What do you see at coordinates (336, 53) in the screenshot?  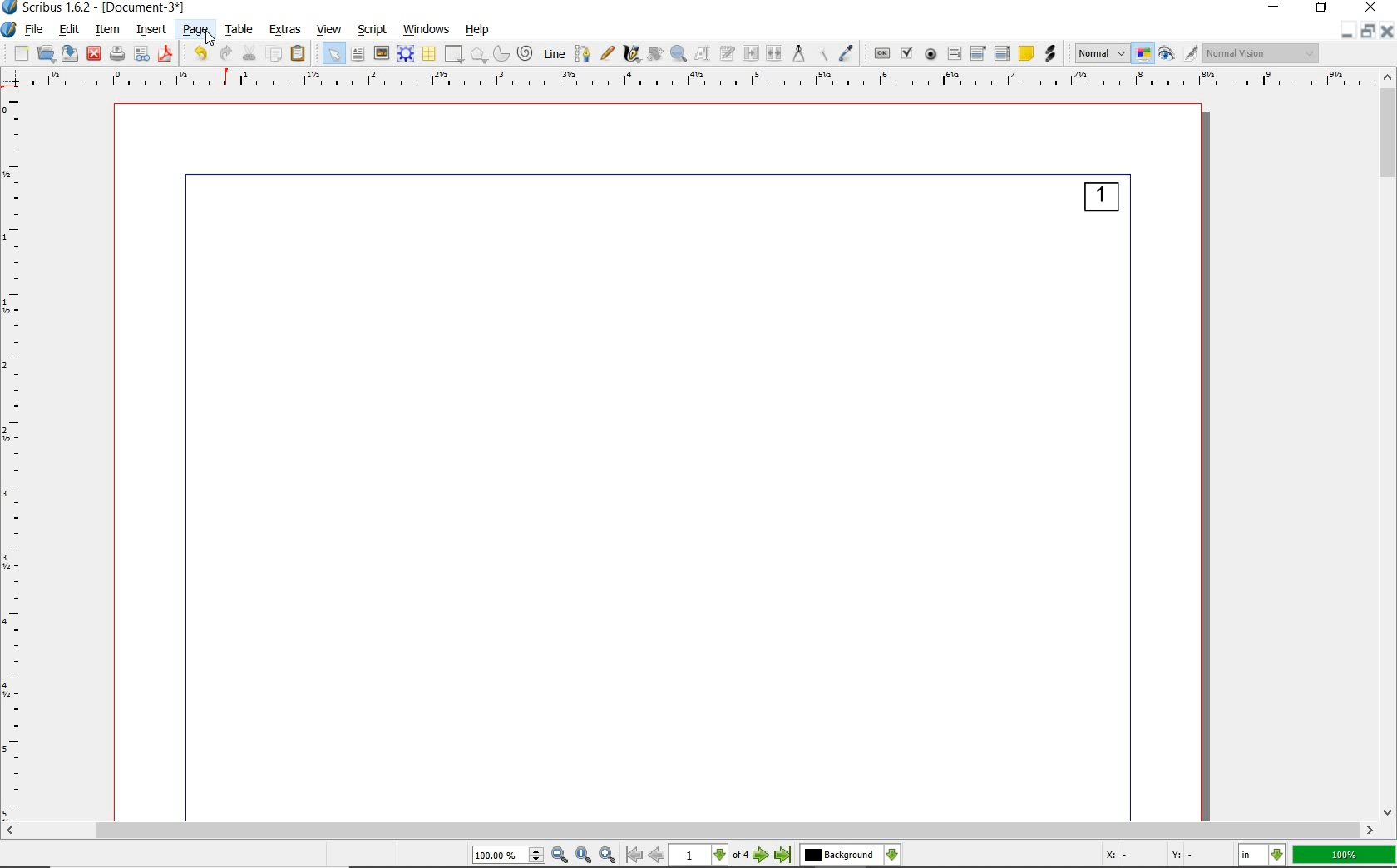 I see `select` at bounding box center [336, 53].